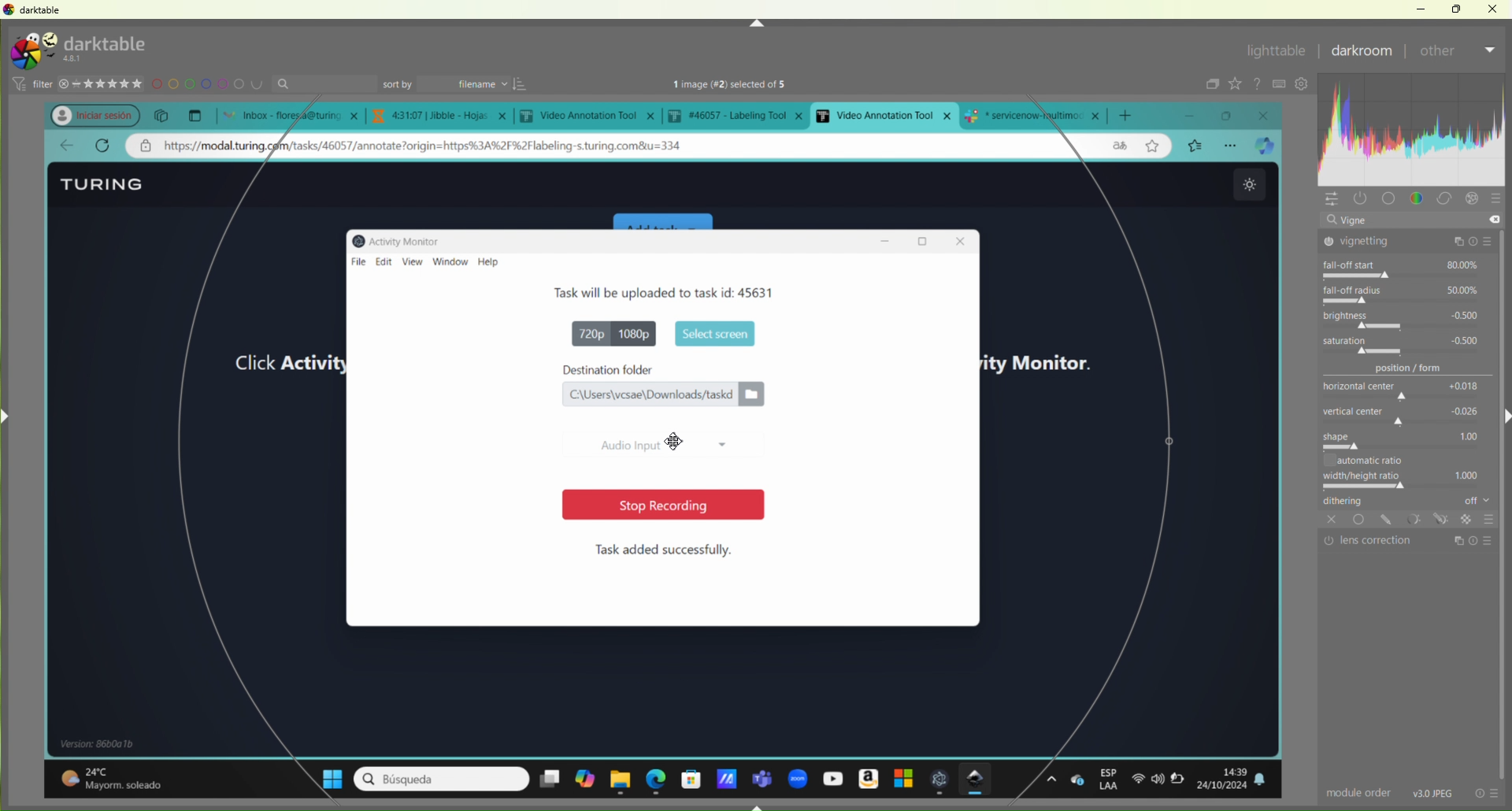 Image resolution: width=1512 pixels, height=811 pixels. Describe the element at coordinates (287, 114) in the screenshot. I see `open tabs` at that location.